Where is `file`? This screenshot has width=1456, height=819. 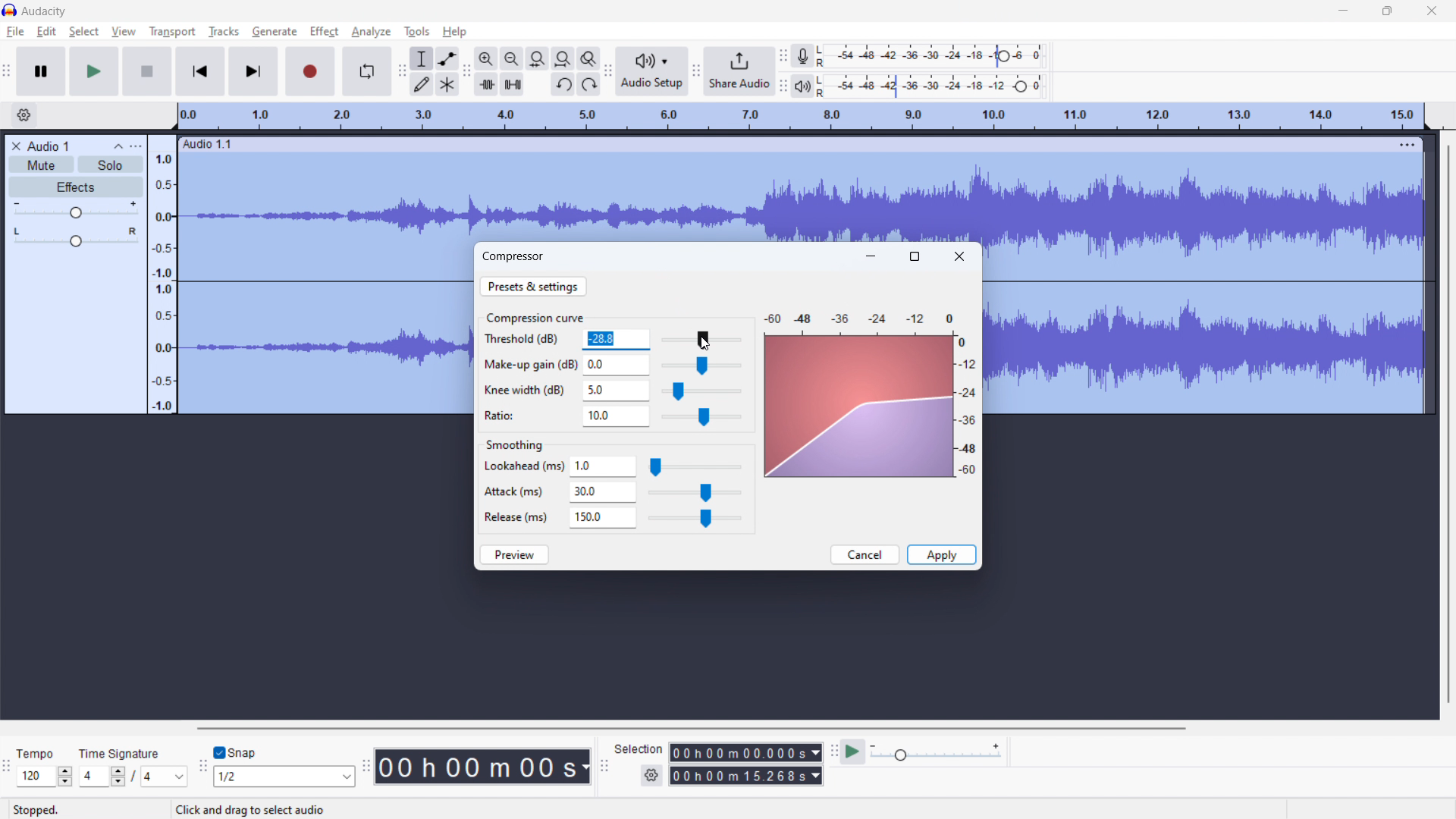 file is located at coordinates (14, 33).